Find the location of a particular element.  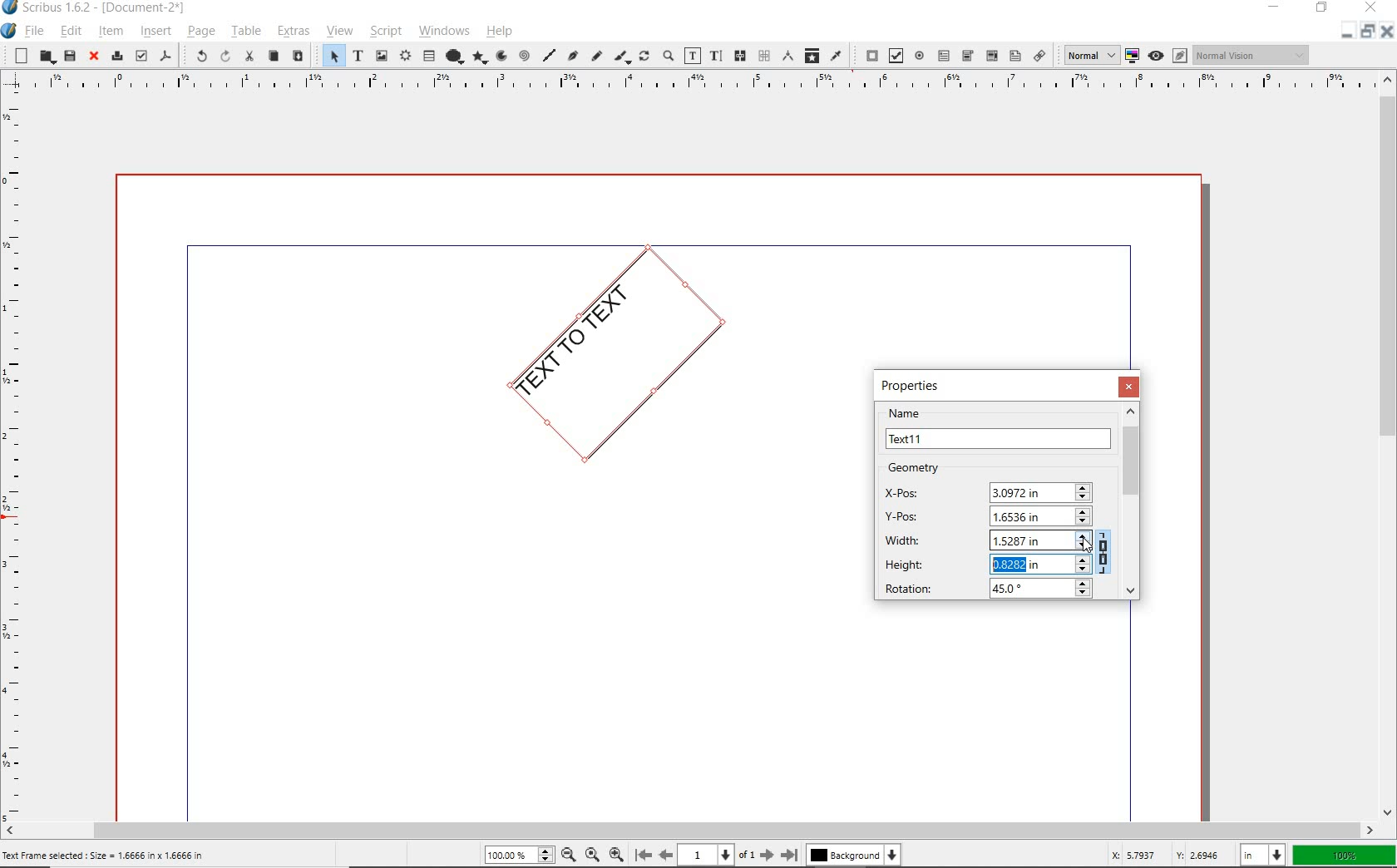

pdf combo box is located at coordinates (991, 57).